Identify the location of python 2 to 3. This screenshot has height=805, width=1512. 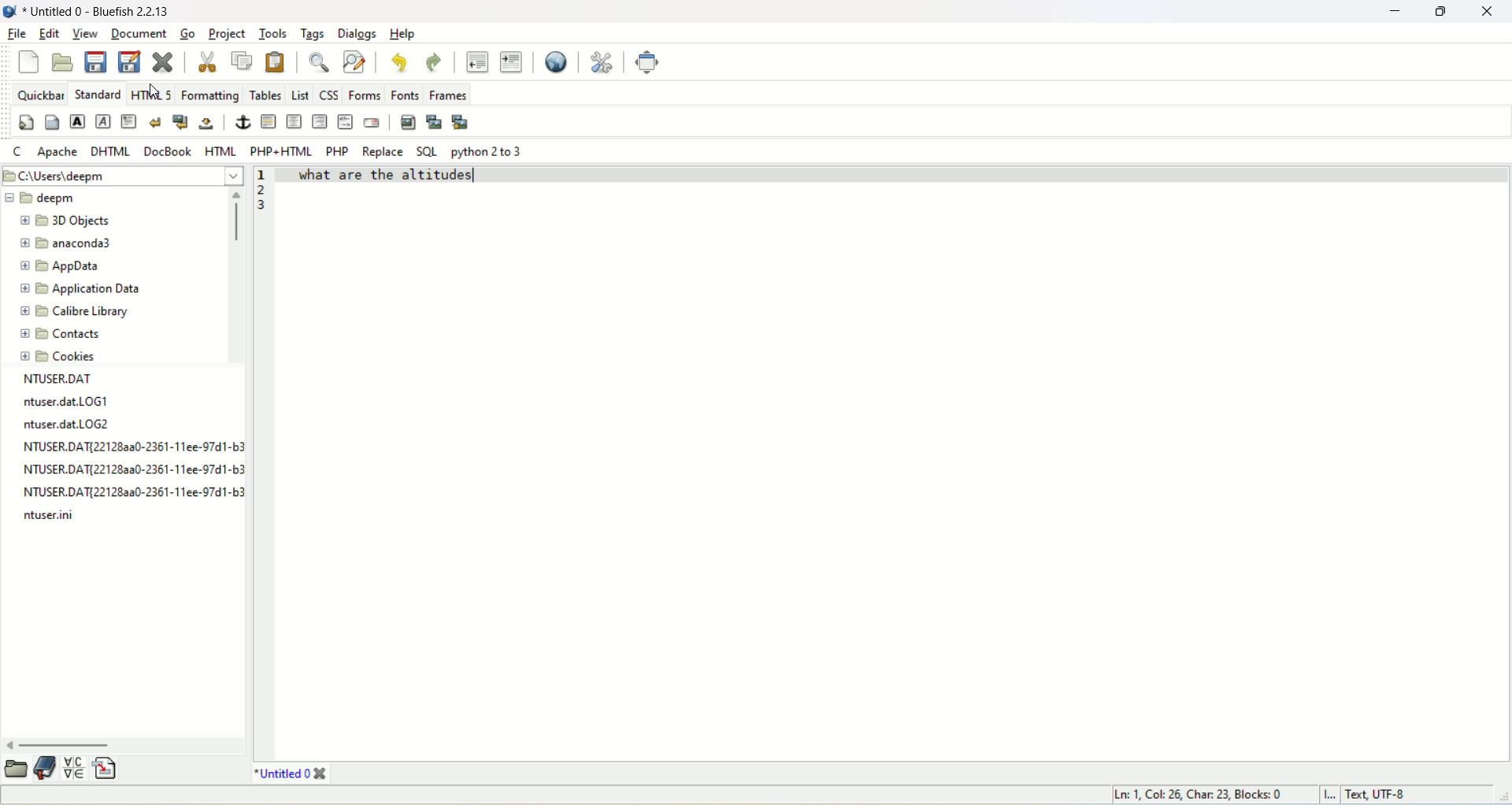
(487, 150).